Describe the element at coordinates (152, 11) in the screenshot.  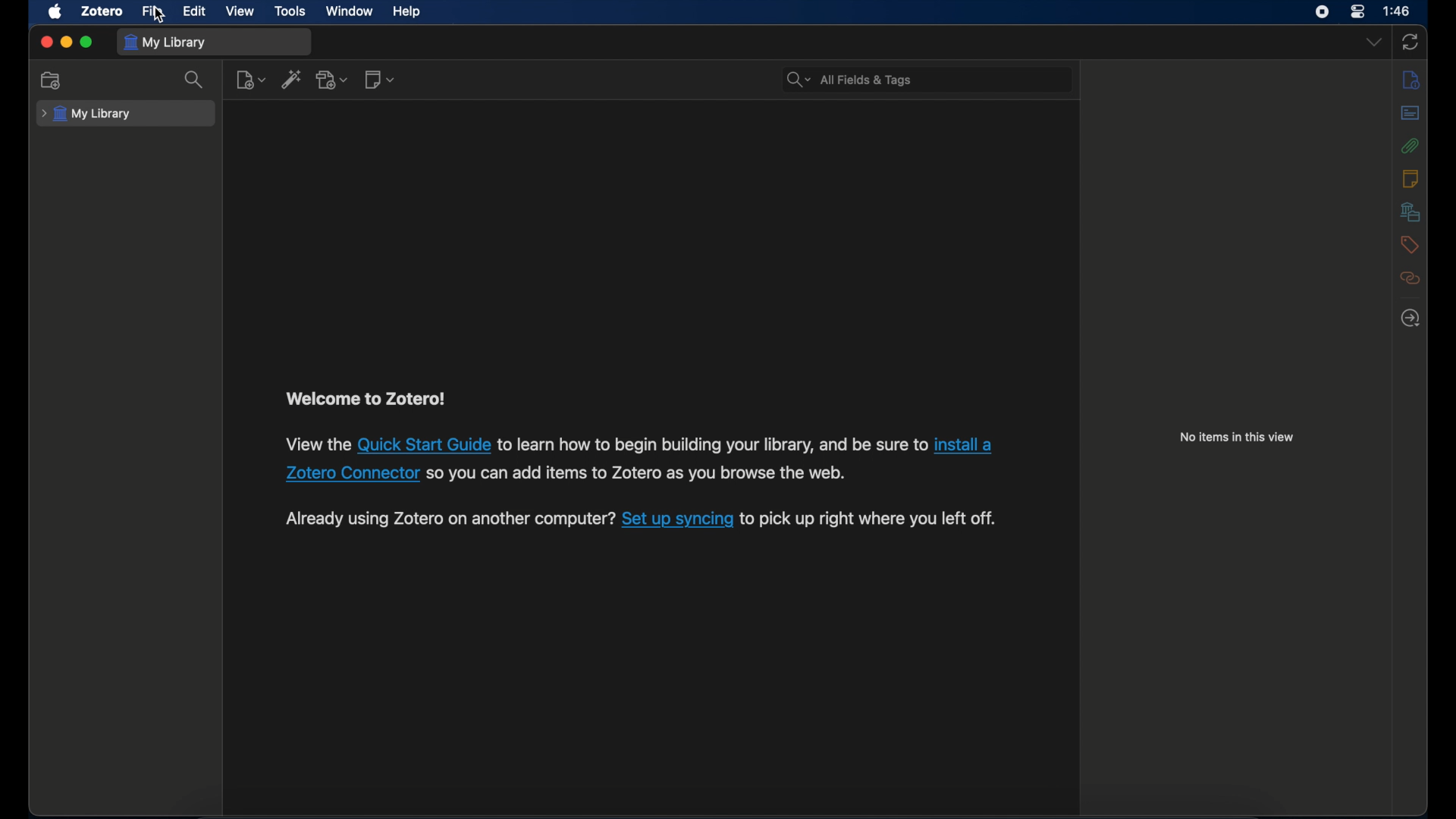
I see `file` at that location.